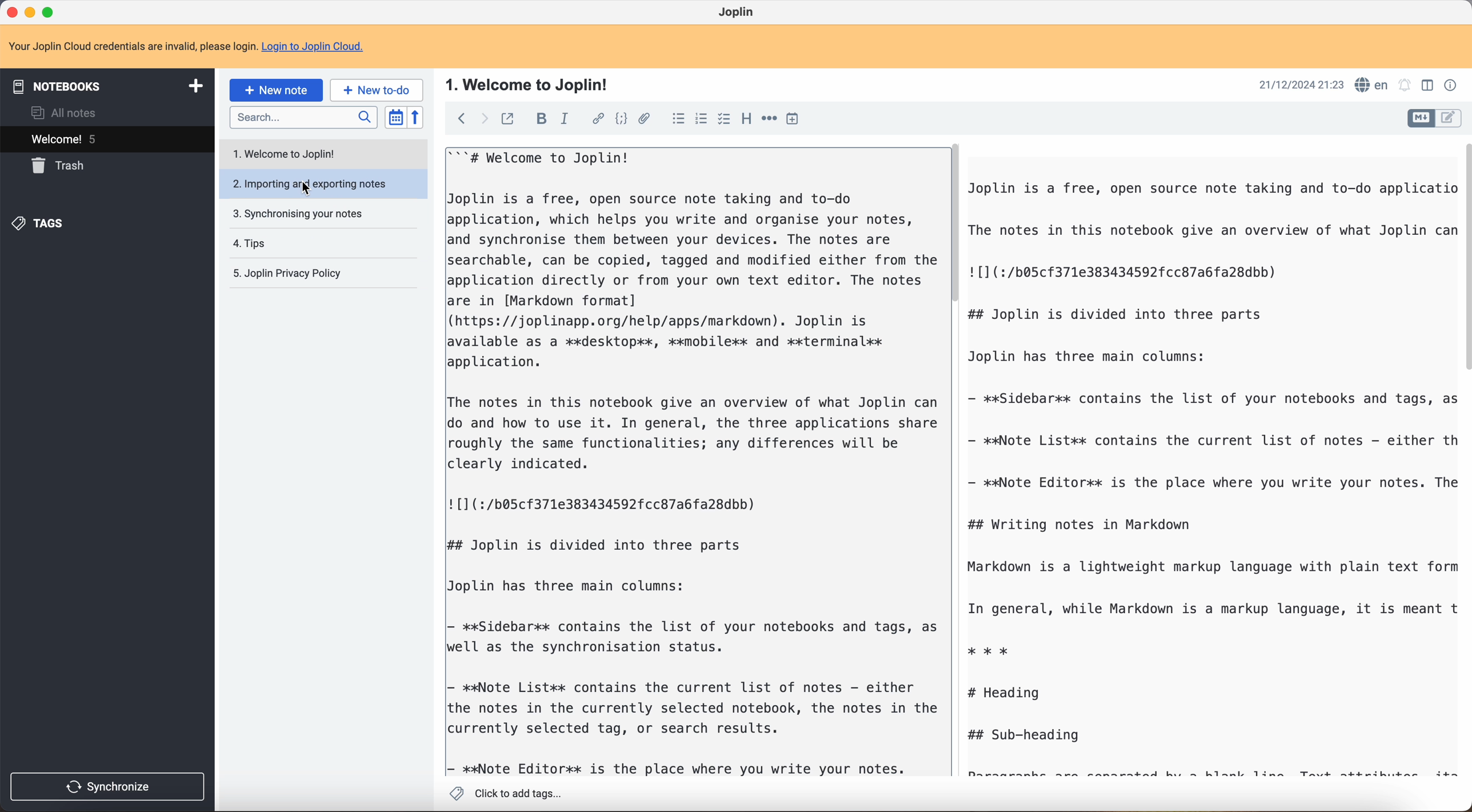 This screenshot has height=812, width=1472. I want to click on italic, so click(566, 119).